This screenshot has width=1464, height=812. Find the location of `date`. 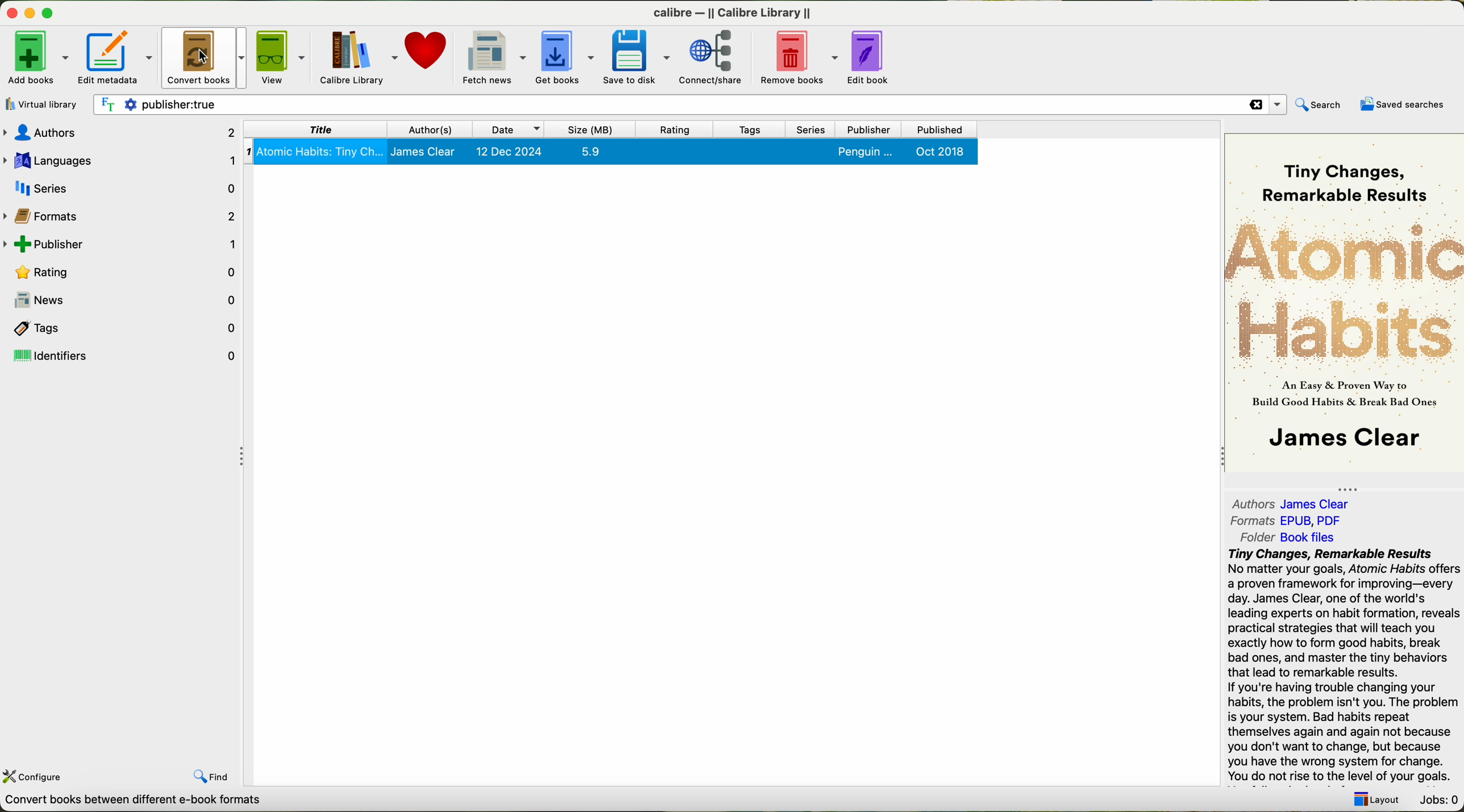

date is located at coordinates (509, 130).